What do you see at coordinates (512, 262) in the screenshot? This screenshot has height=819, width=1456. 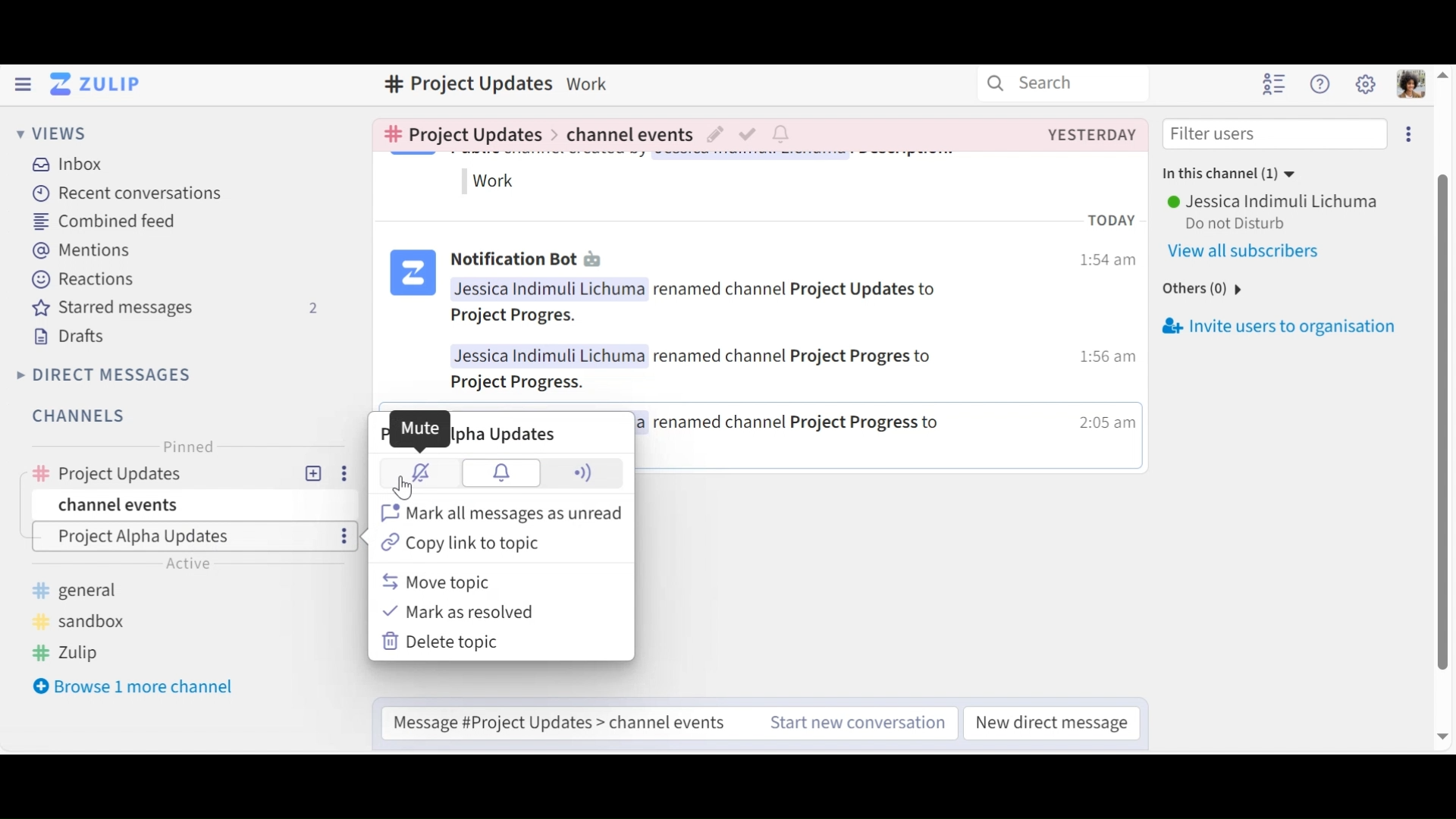 I see `Notification Bot` at bounding box center [512, 262].